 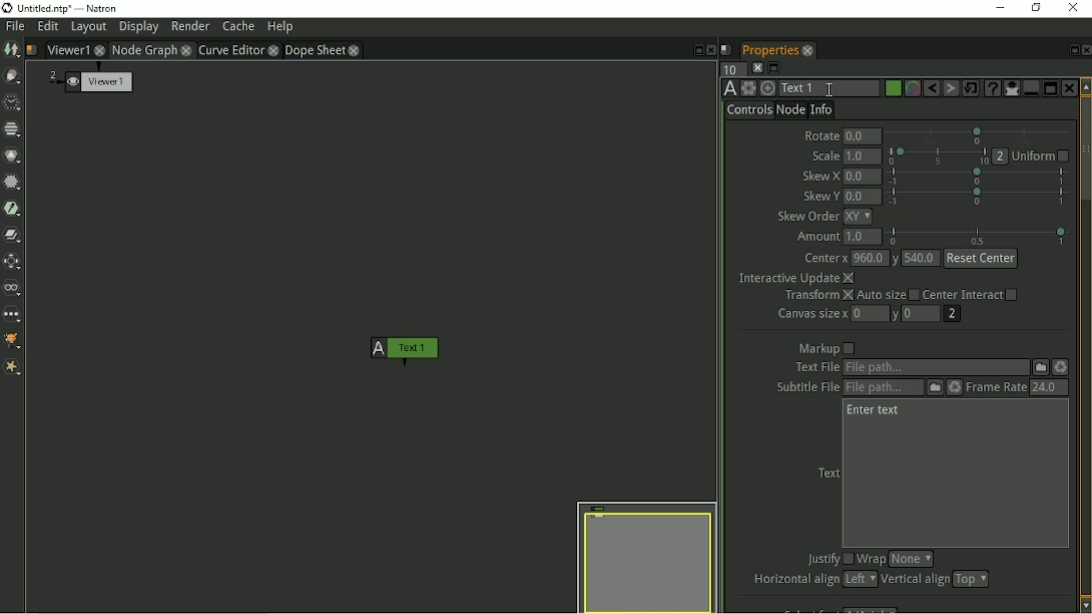 What do you see at coordinates (821, 176) in the screenshot?
I see `Skew X` at bounding box center [821, 176].